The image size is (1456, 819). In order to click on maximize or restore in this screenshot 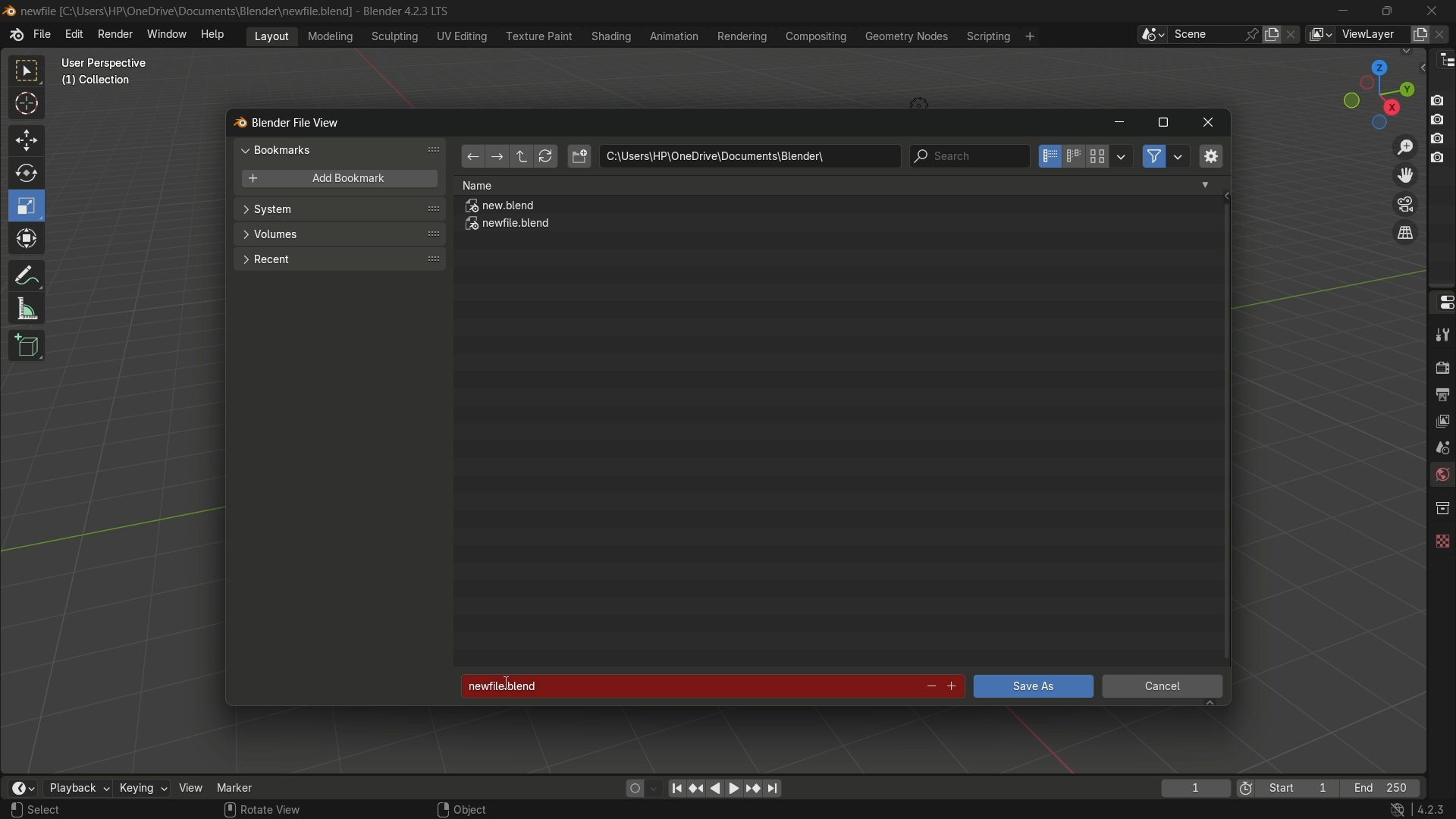, I will do `click(1386, 10)`.